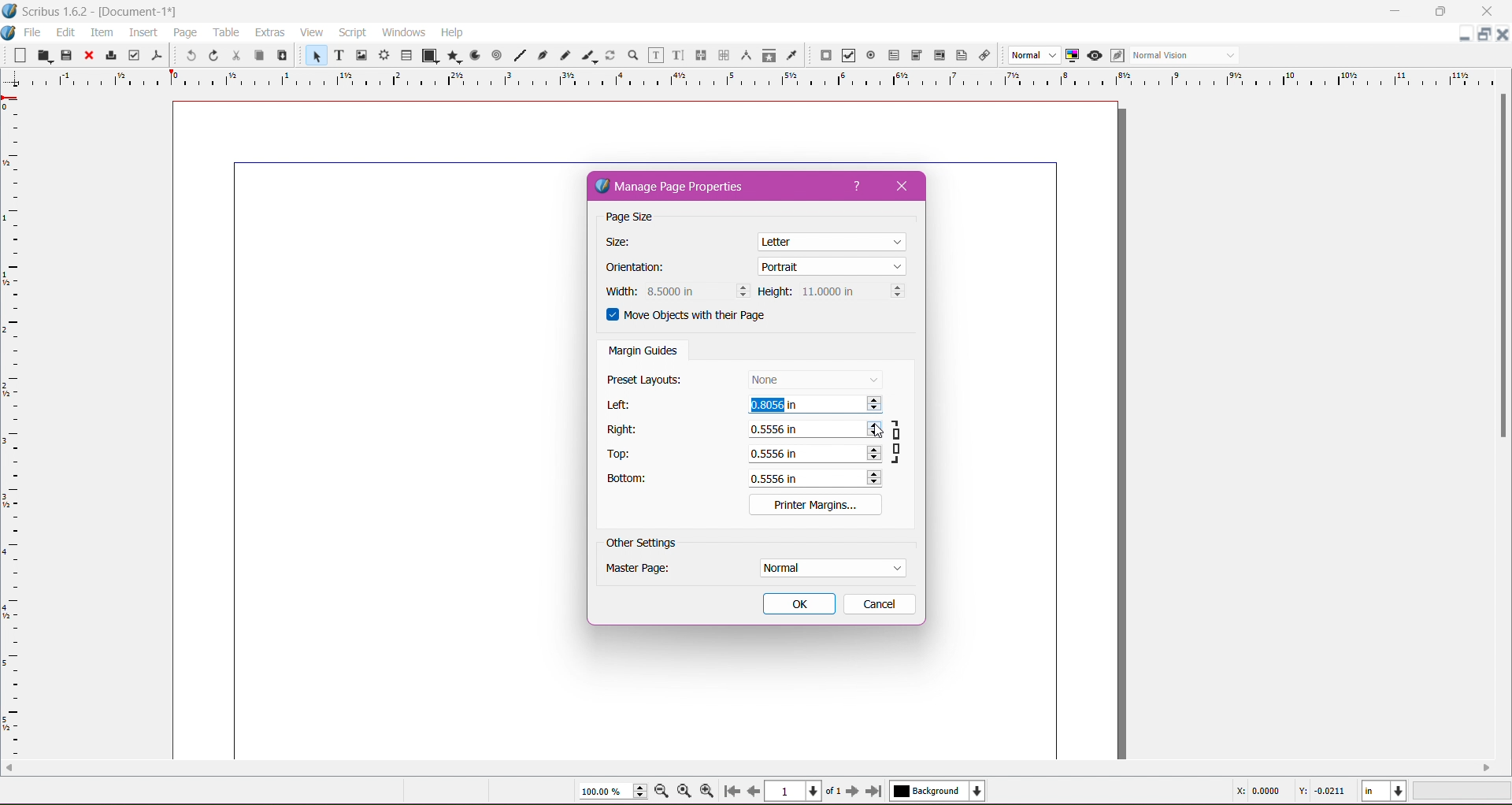  I want to click on Width, so click(618, 291).